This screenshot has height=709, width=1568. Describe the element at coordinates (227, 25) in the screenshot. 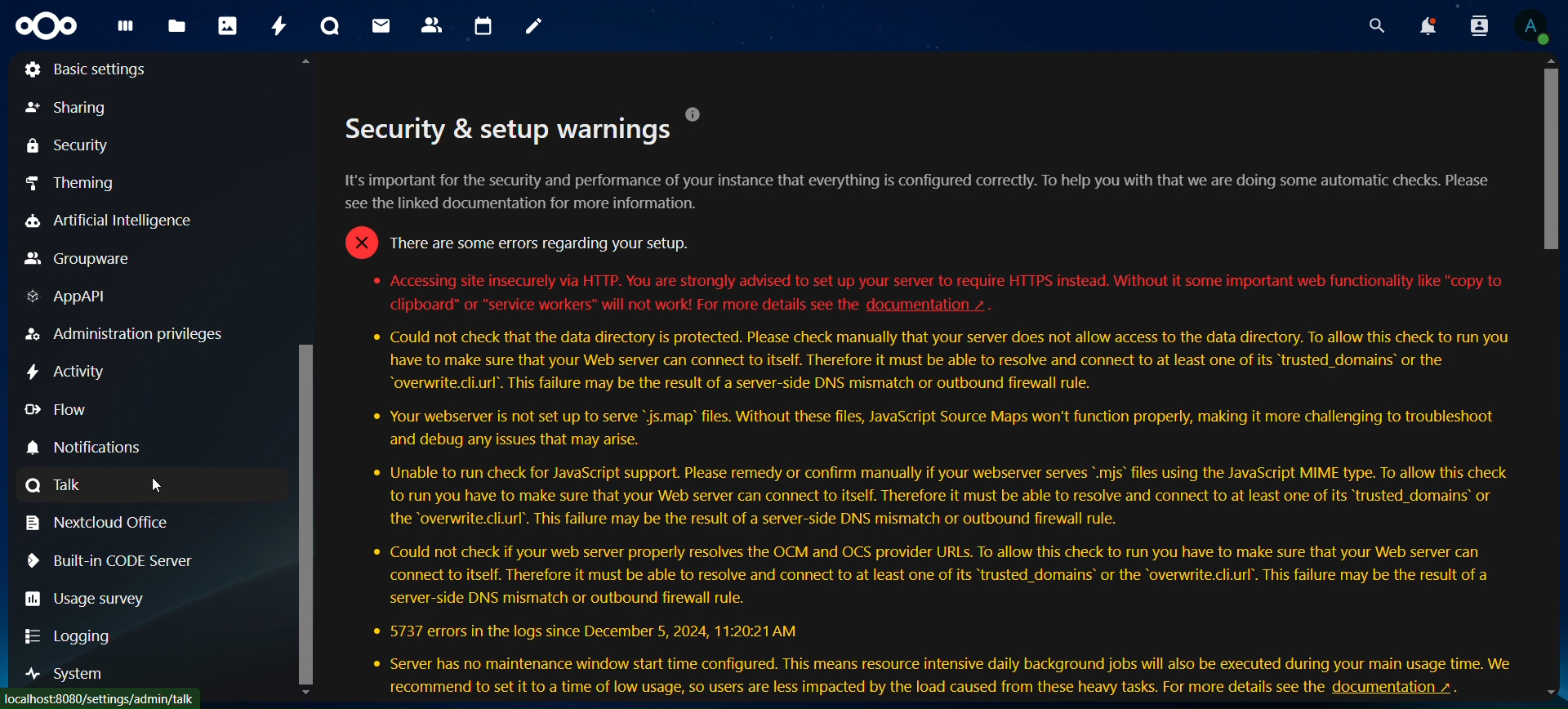

I see `photos` at that location.